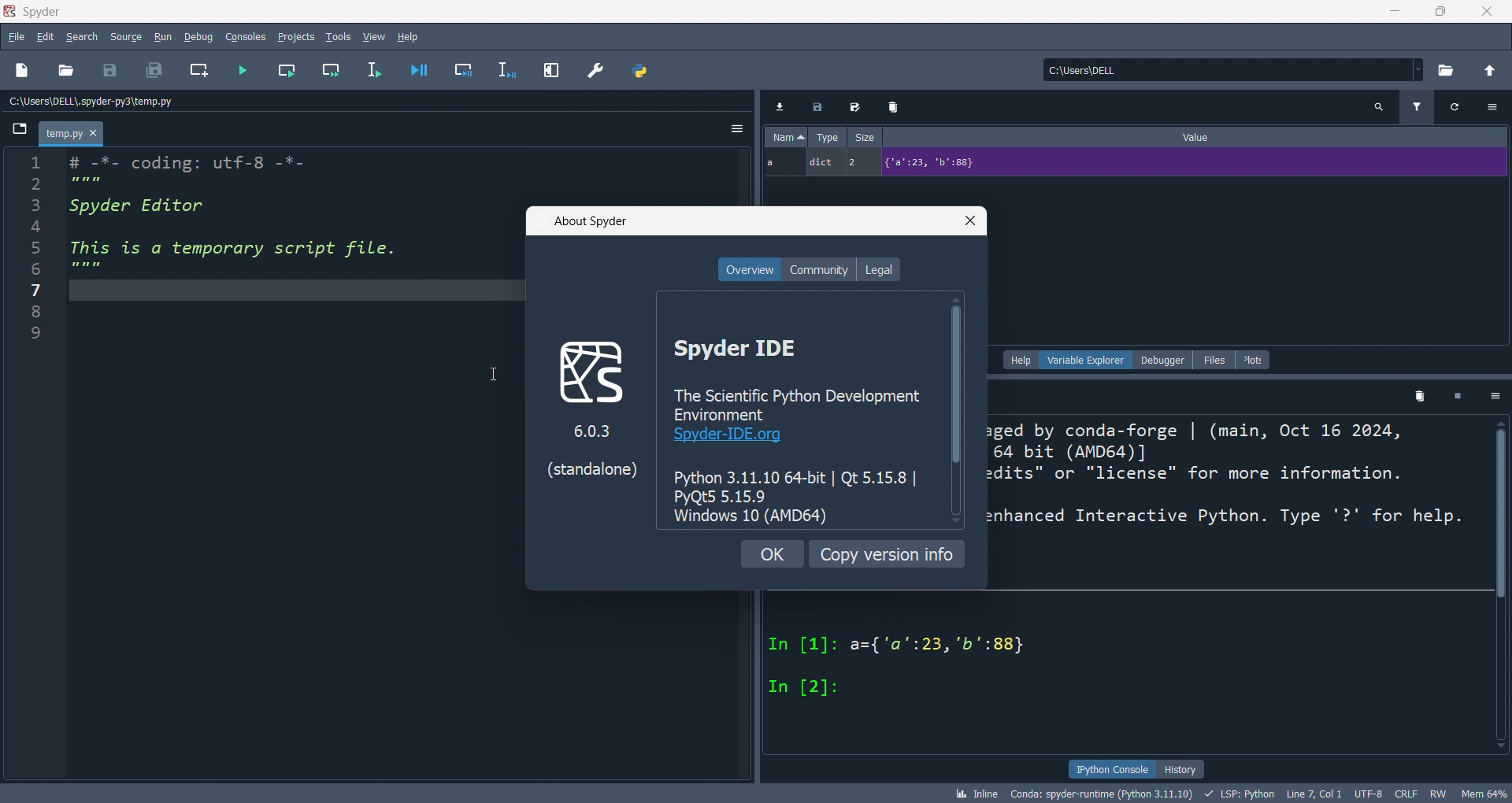 This screenshot has width=1512, height=803. What do you see at coordinates (779, 105) in the screenshot?
I see `Download` at bounding box center [779, 105].